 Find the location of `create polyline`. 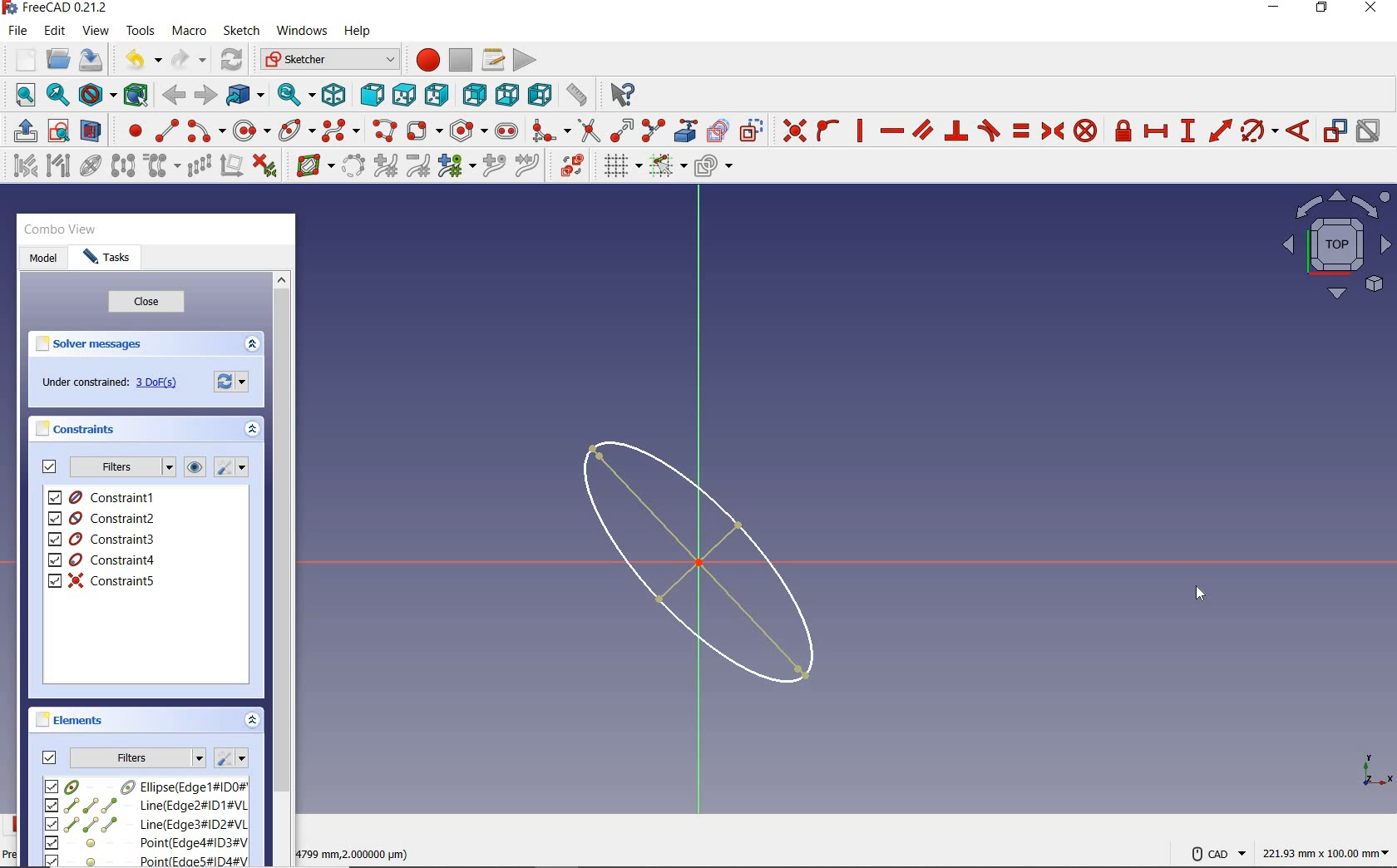

create polyline is located at coordinates (383, 131).